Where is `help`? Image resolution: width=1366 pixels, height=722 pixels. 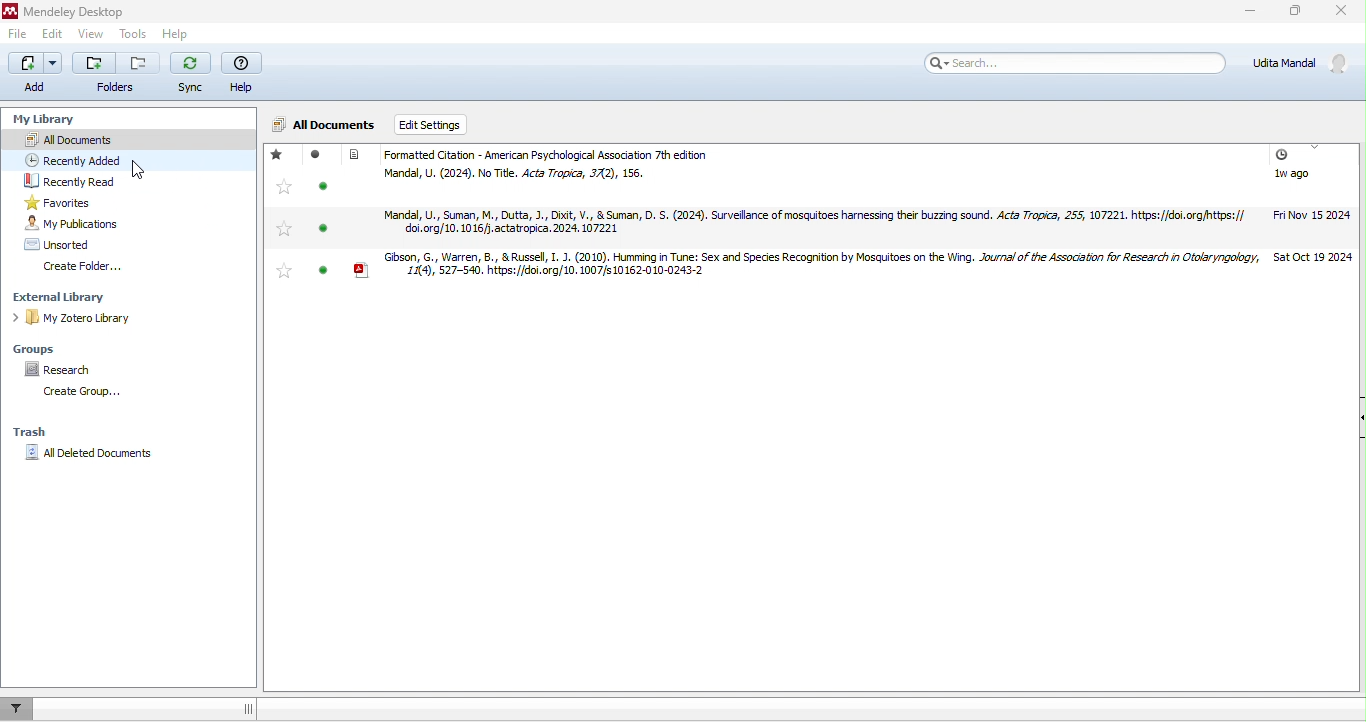 help is located at coordinates (240, 73).